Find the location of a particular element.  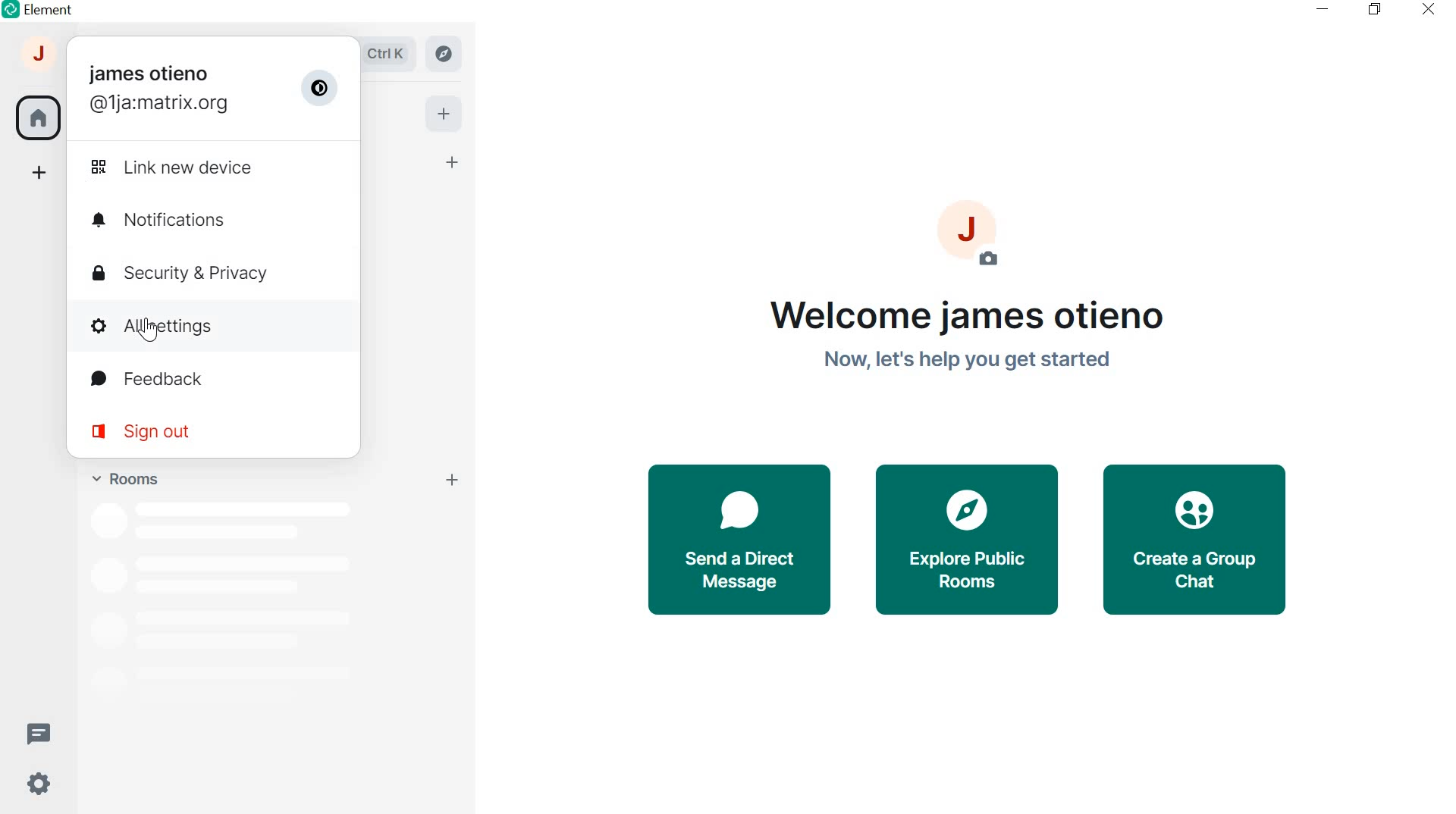

SEND A DIRECT MESSAGE is located at coordinates (738, 538).